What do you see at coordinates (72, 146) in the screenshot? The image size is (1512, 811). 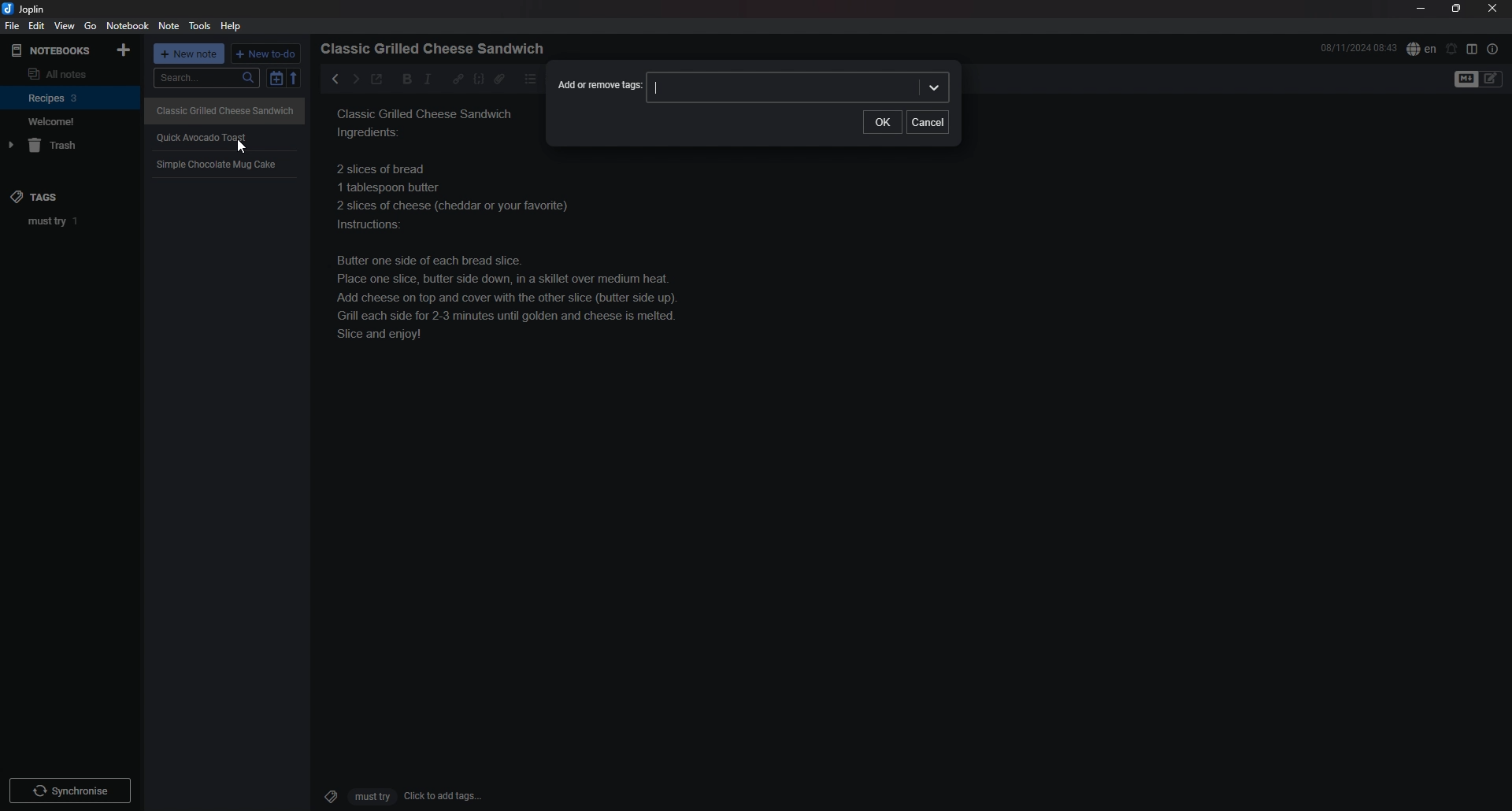 I see `trash` at bounding box center [72, 146].